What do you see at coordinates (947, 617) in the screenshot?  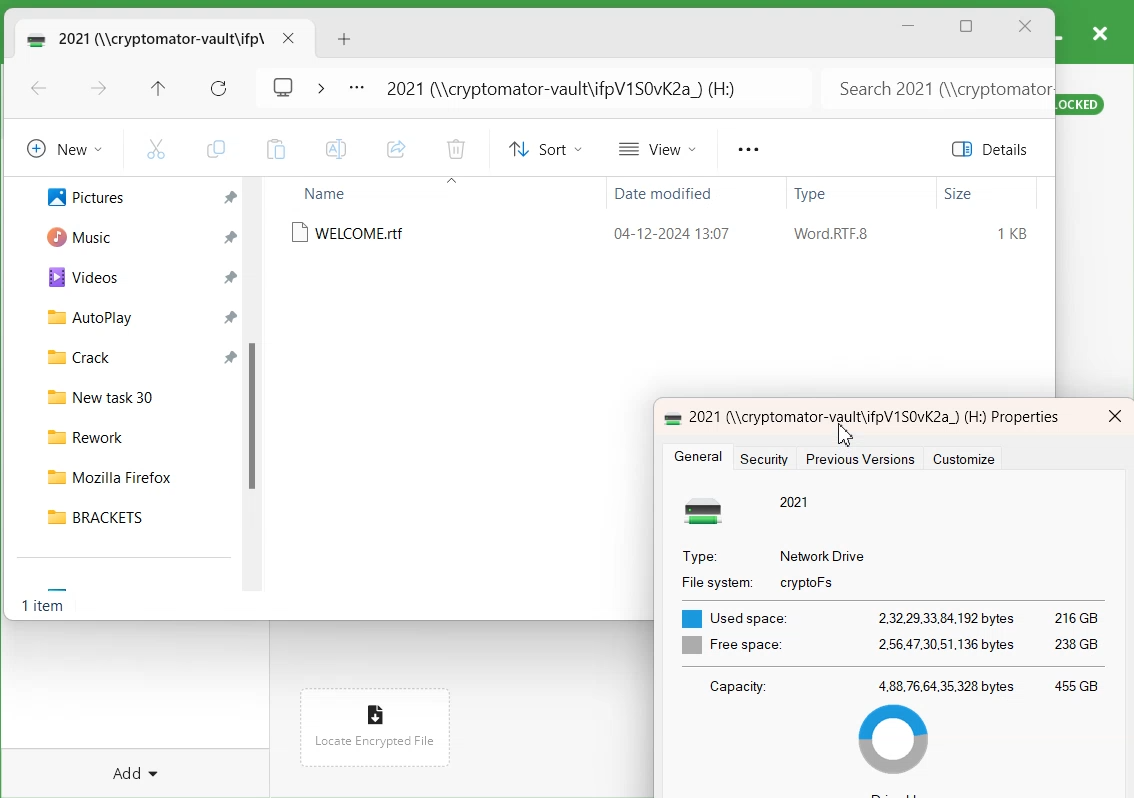 I see `2.32.29.33,84.192 bytes` at bounding box center [947, 617].